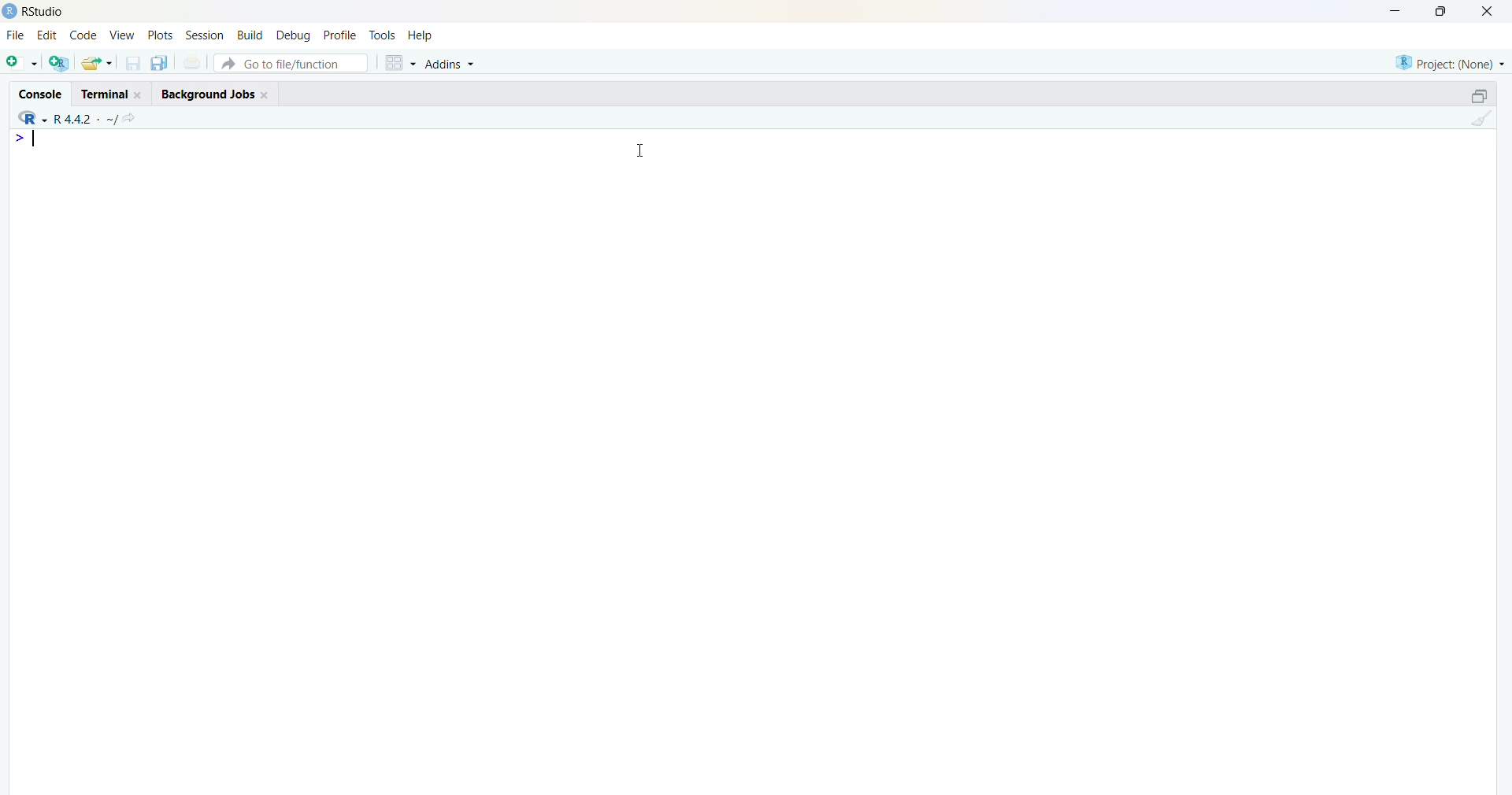  I want to click on line 1, so click(18, 138).